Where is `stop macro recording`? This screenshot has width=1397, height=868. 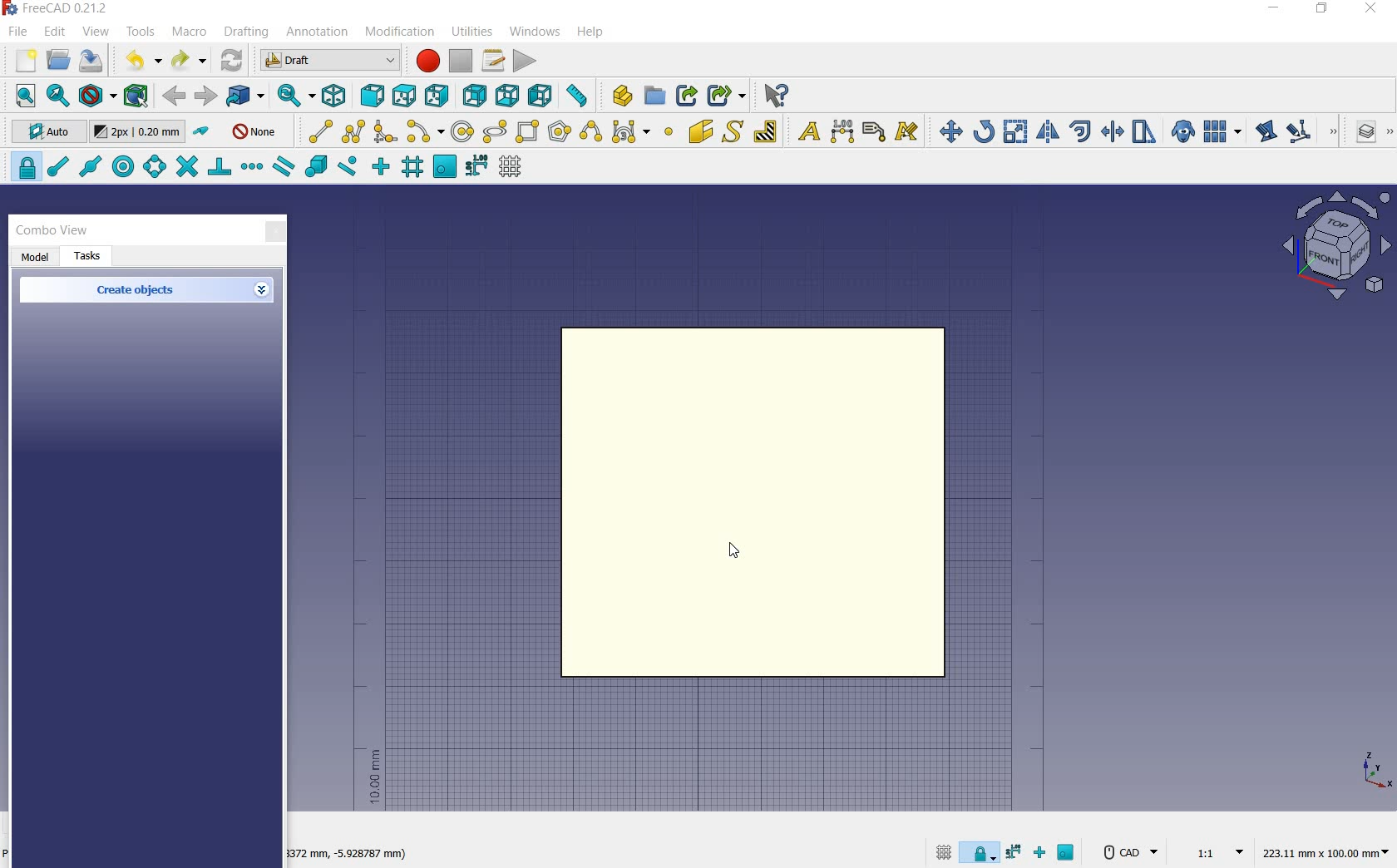 stop macro recording is located at coordinates (462, 61).